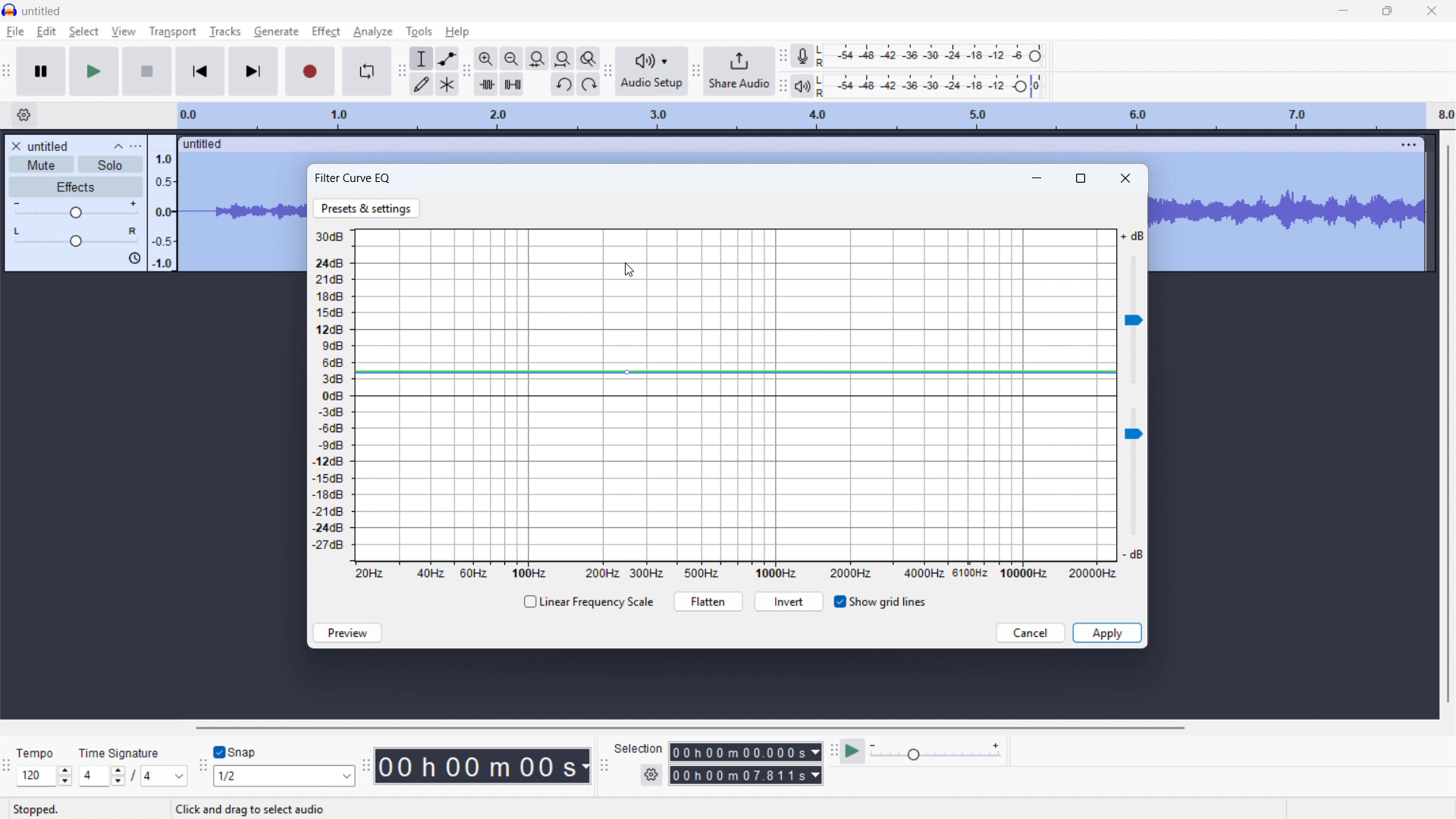 This screenshot has height=819, width=1456. What do you see at coordinates (1108, 633) in the screenshot?
I see `Apply ` at bounding box center [1108, 633].